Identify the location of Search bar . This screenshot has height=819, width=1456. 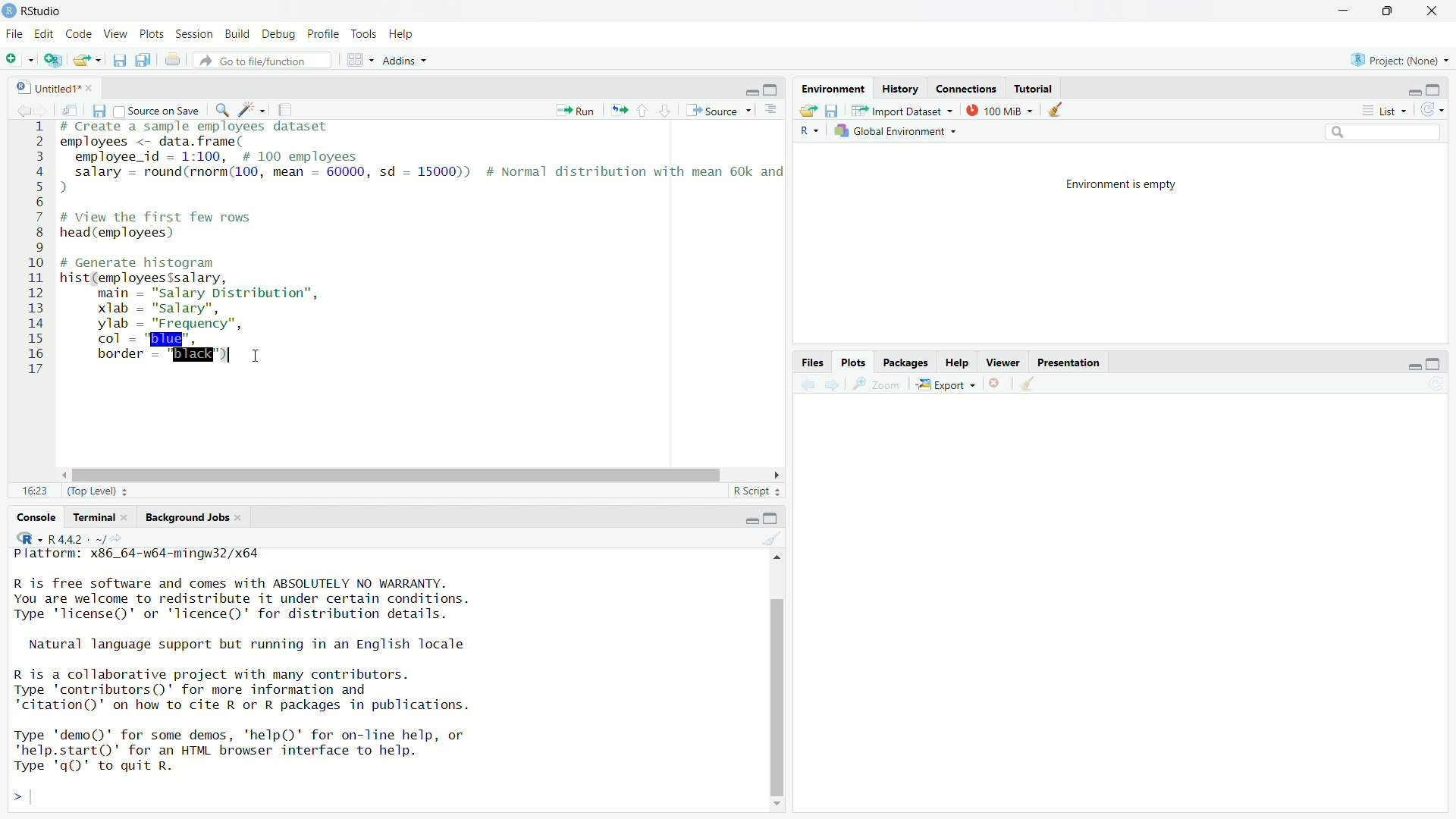
(1382, 132).